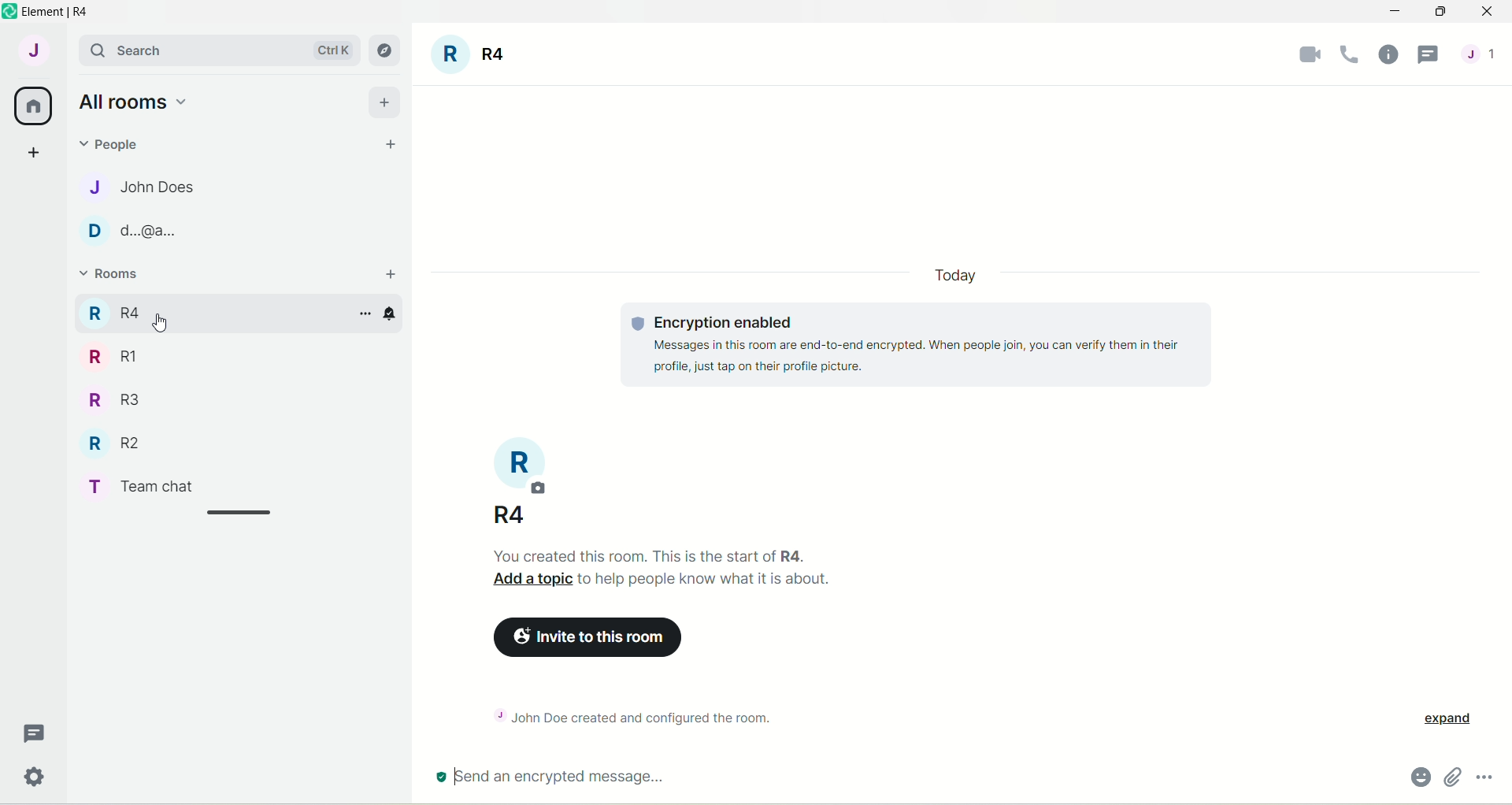  Describe the element at coordinates (112, 276) in the screenshot. I see `rooms` at that location.